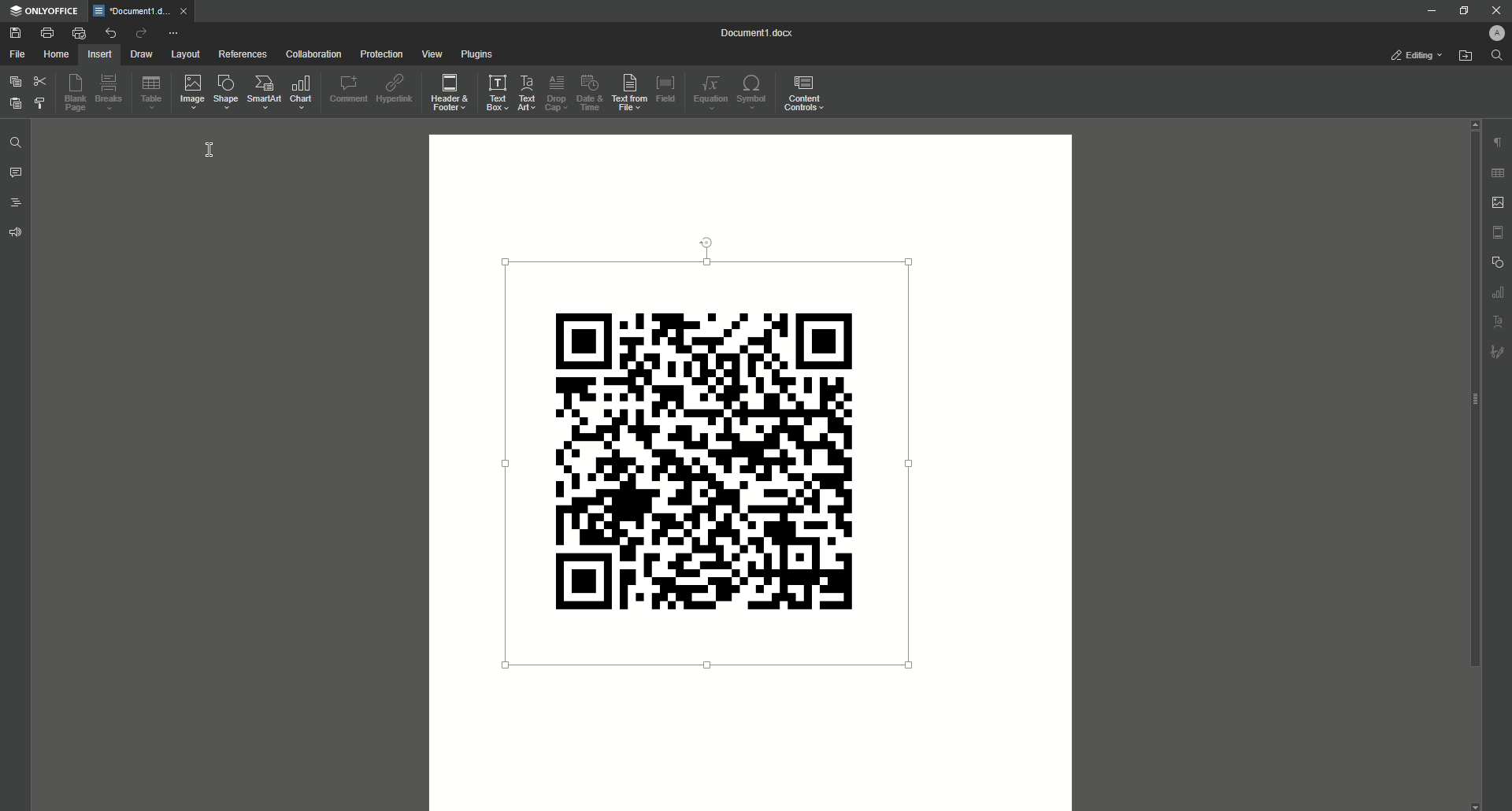 The image size is (1512, 811). I want to click on ONLYOFFICE, so click(44, 12).